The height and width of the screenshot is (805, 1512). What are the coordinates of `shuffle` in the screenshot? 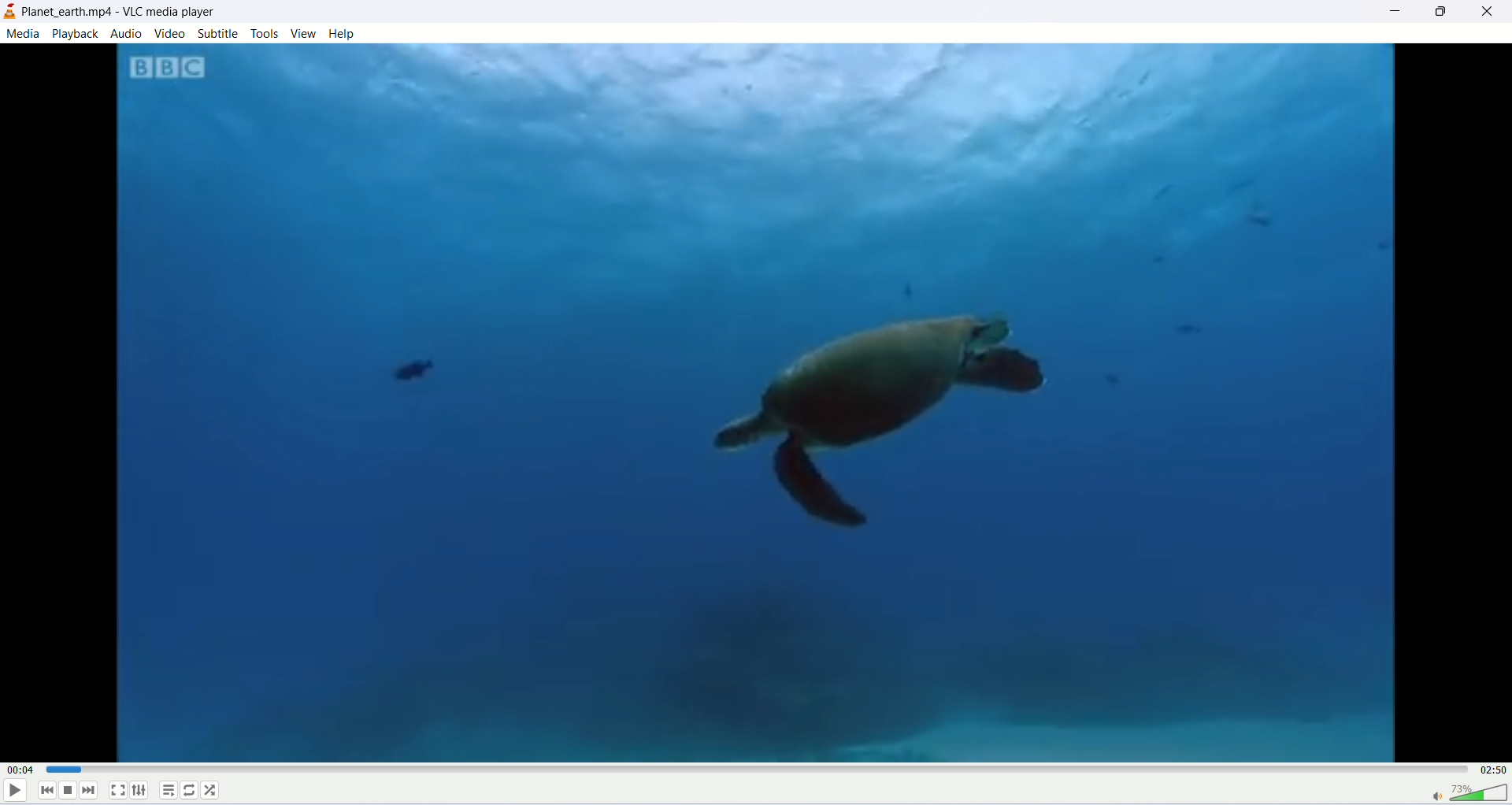 It's located at (210, 791).